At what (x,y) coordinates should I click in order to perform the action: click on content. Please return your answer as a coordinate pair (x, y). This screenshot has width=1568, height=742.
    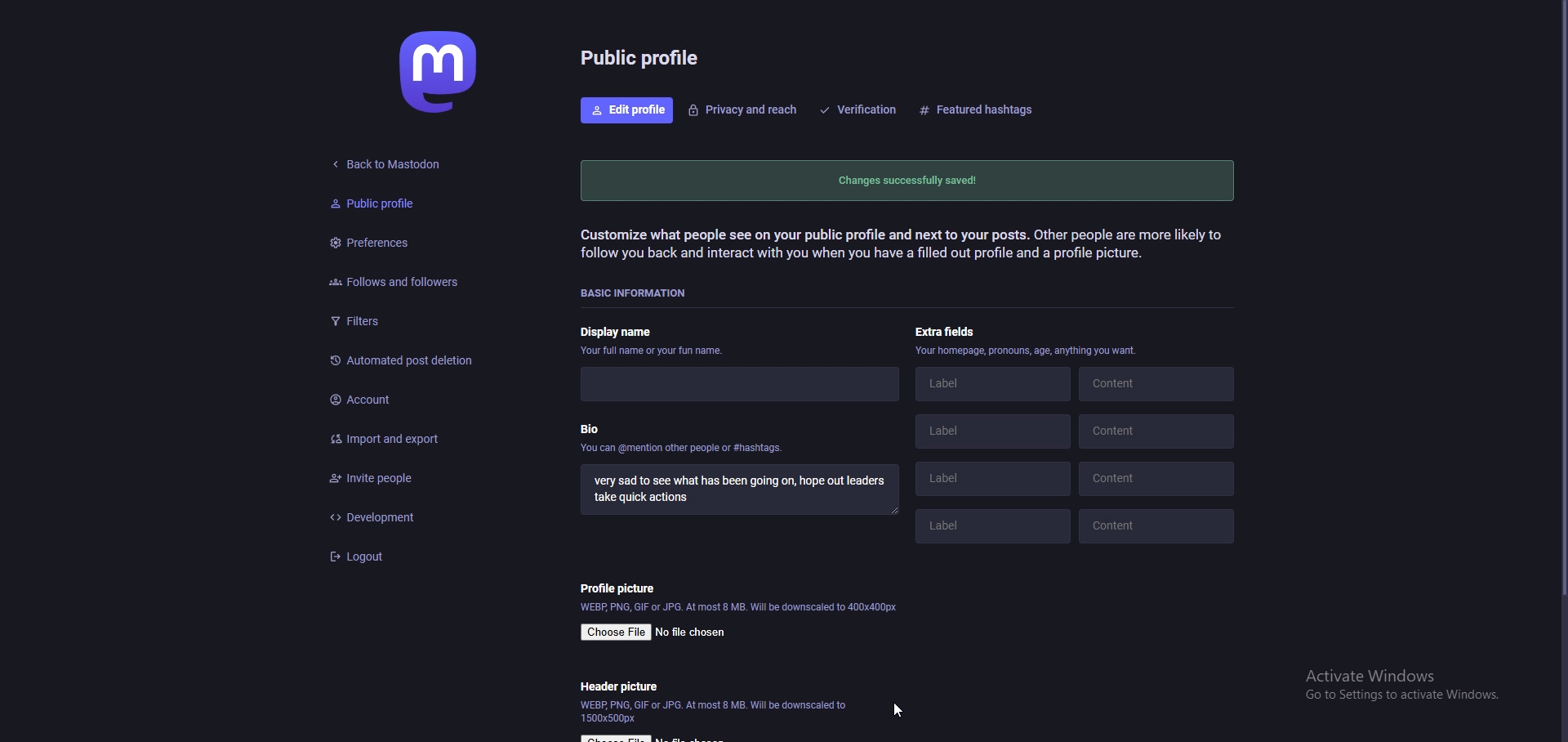
    Looking at the image, I should click on (1154, 387).